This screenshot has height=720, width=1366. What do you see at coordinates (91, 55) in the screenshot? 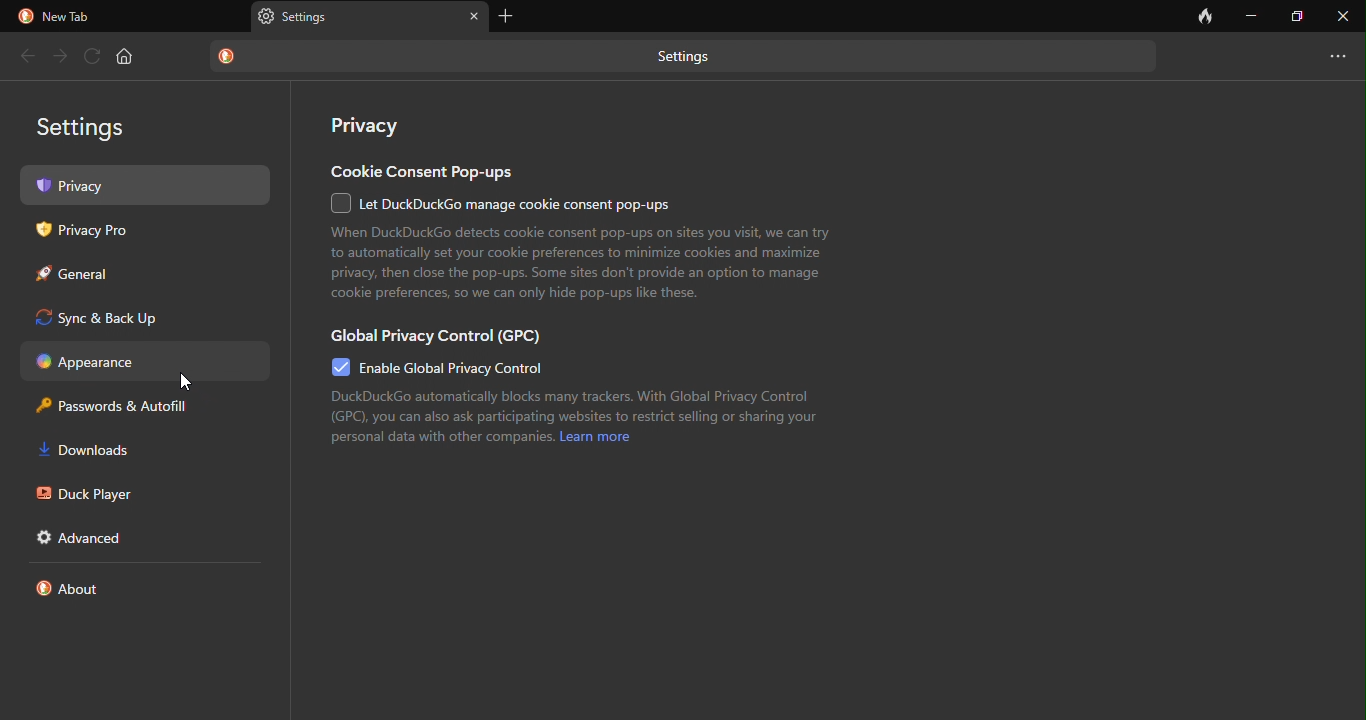
I see `refresh` at bounding box center [91, 55].